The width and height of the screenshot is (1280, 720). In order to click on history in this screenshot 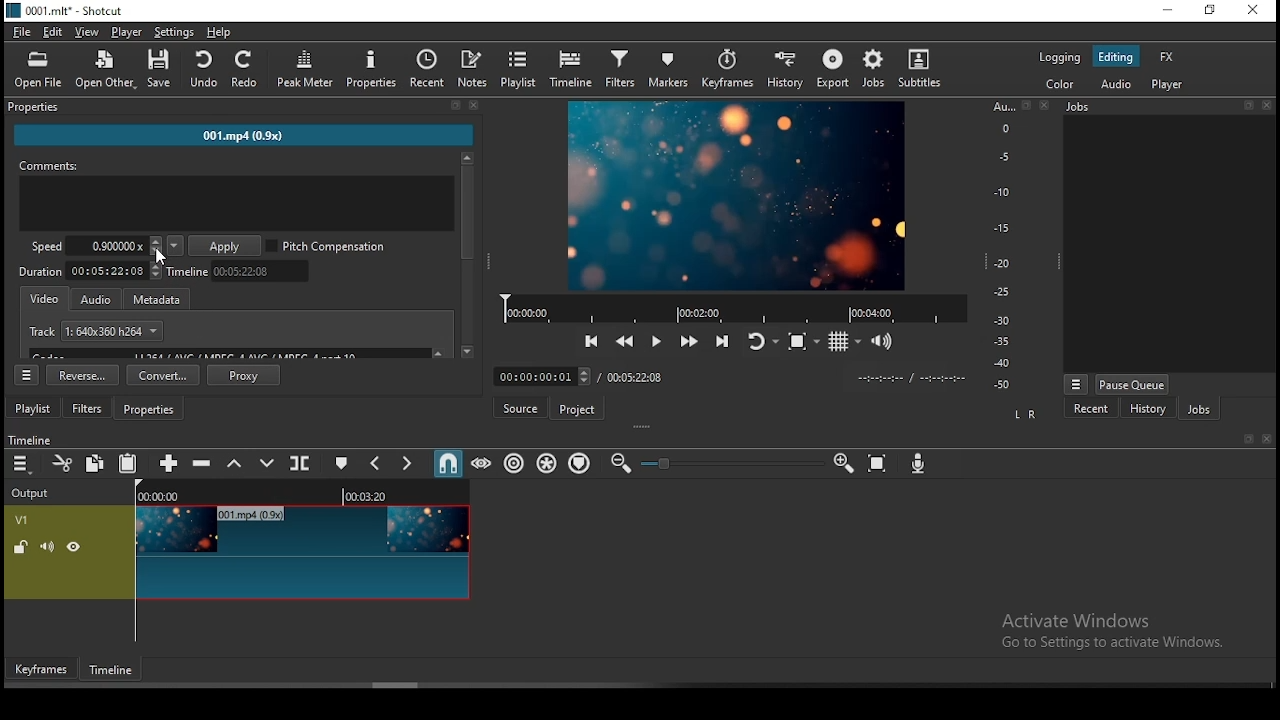, I will do `click(785, 68)`.